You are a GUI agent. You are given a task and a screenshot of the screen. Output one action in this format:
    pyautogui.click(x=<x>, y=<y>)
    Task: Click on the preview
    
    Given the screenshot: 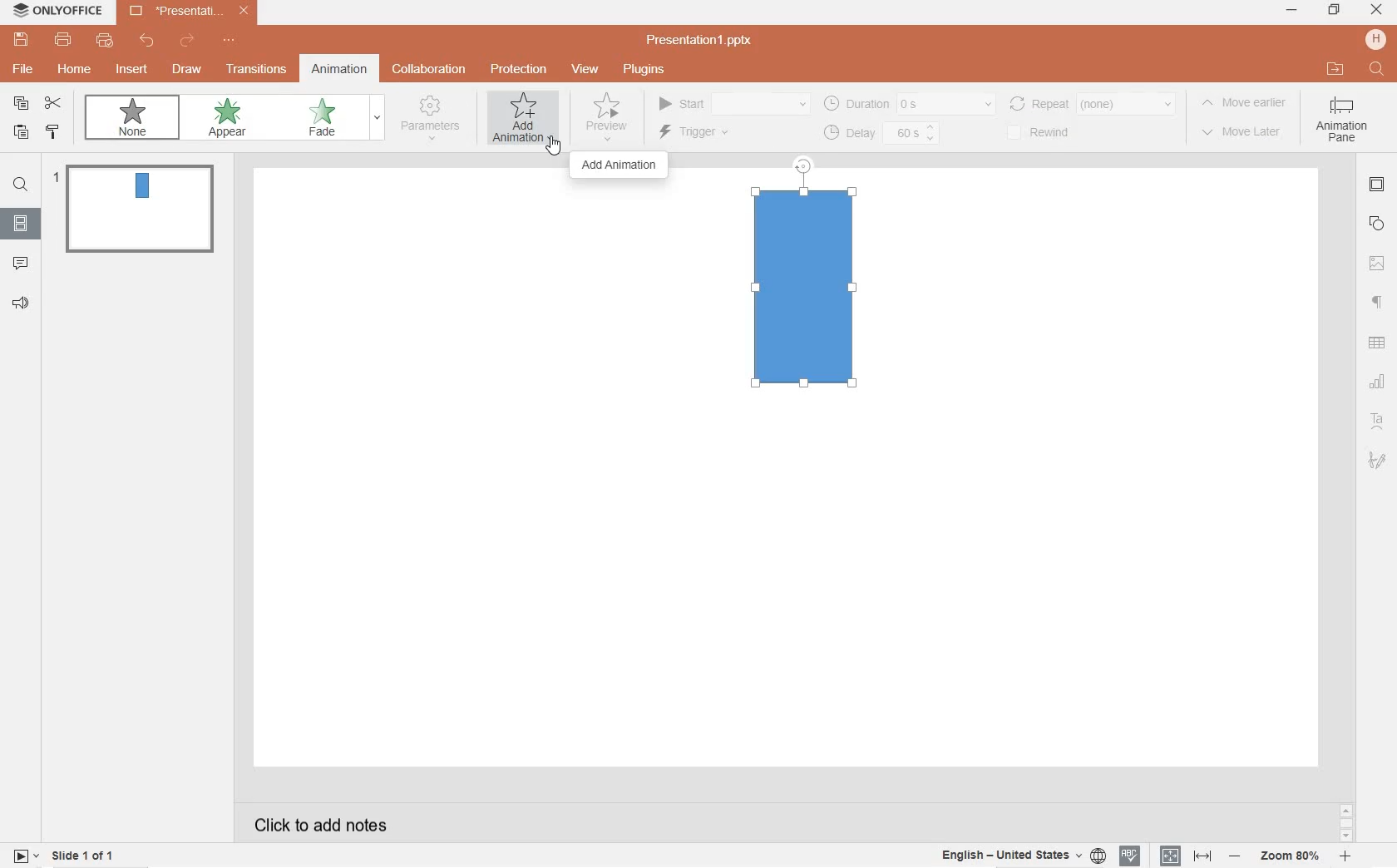 What is the action you would take?
    pyautogui.click(x=606, y=116)
    